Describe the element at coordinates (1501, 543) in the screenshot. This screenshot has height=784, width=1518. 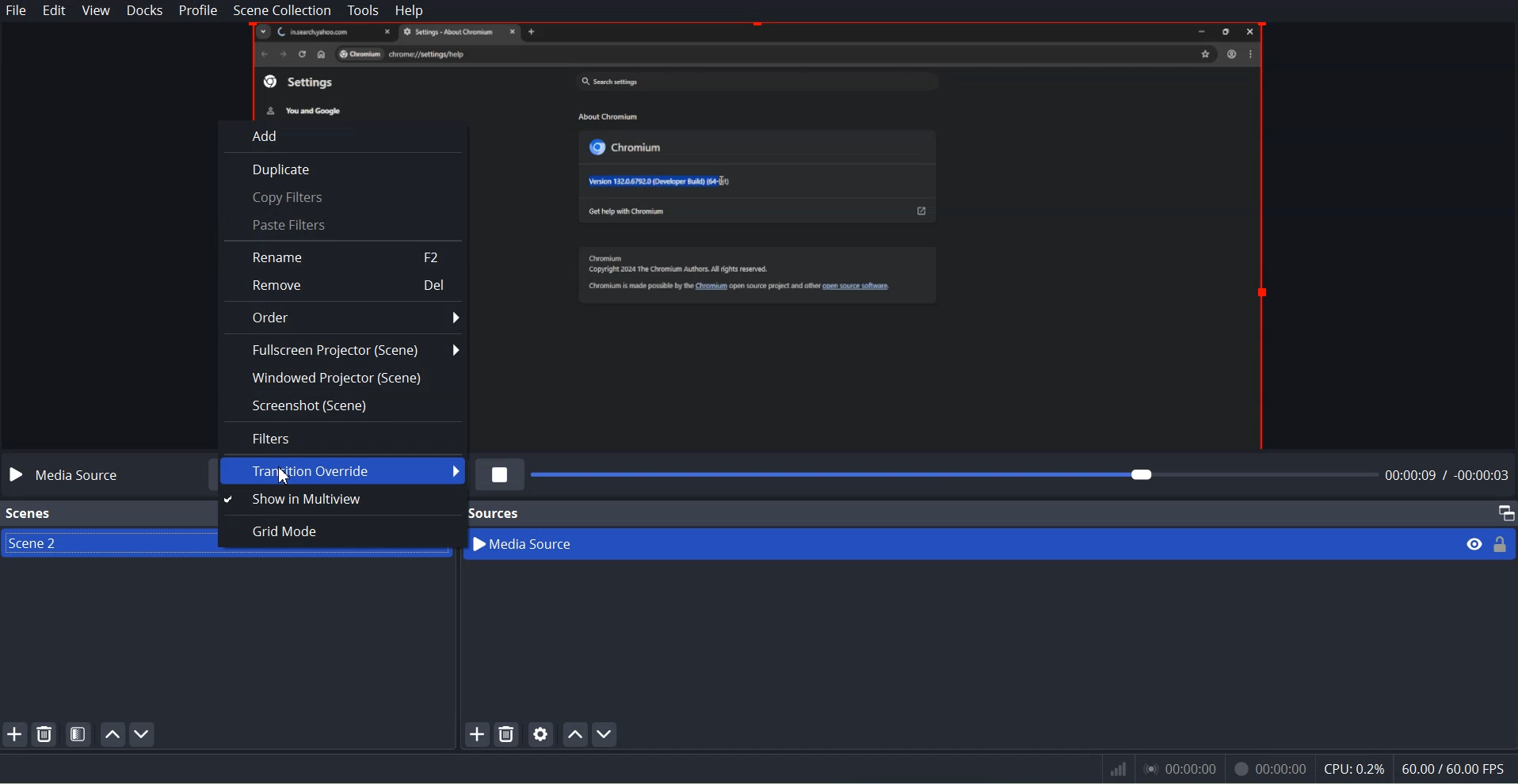
I see `Lock` at that location.